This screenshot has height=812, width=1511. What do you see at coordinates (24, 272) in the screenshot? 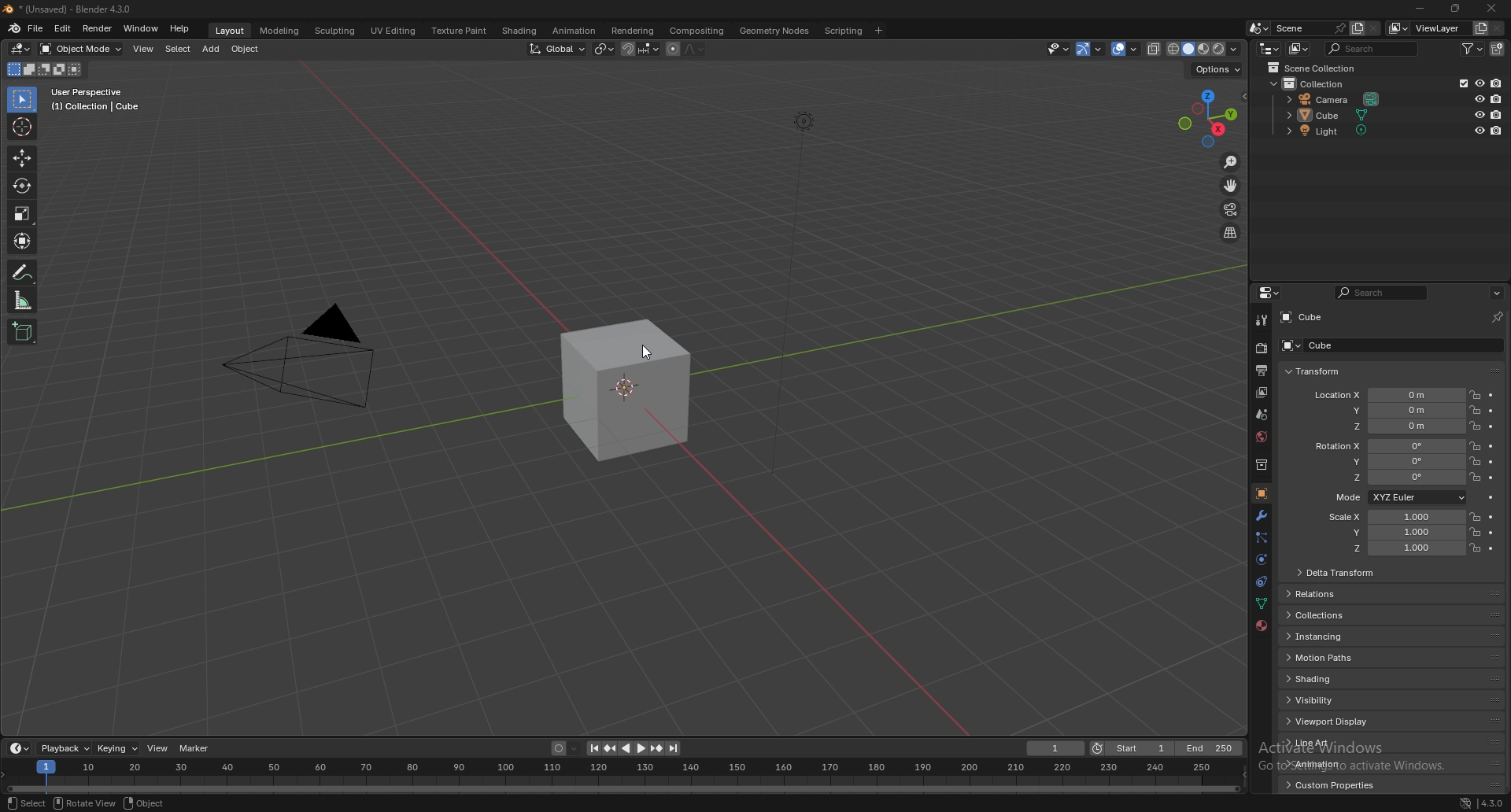
I see `annotate` at bounding box center [24, 272].